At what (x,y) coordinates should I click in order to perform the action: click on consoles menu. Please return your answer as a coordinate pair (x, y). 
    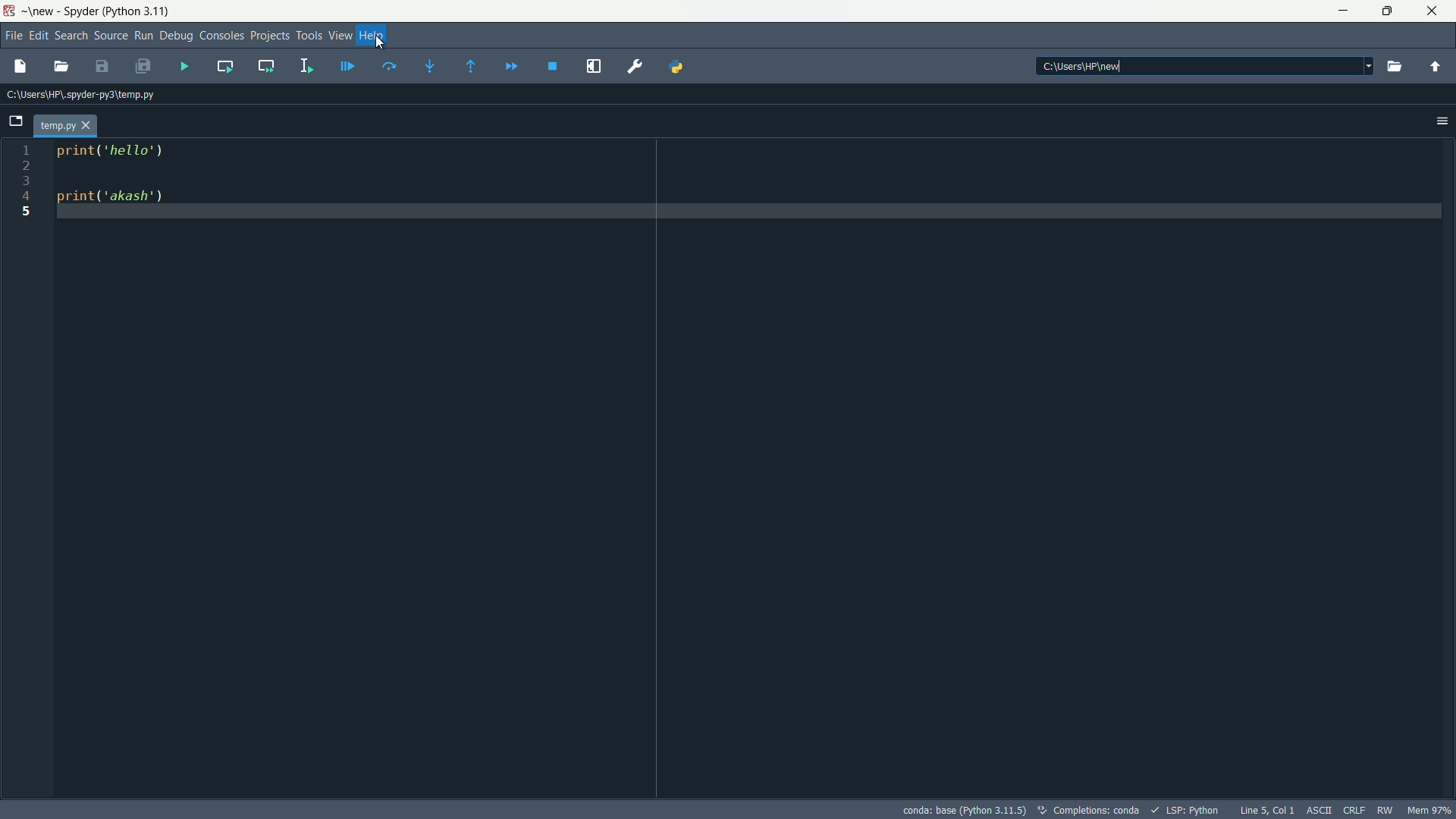
    Looking at the image, I should click on (221, 36).